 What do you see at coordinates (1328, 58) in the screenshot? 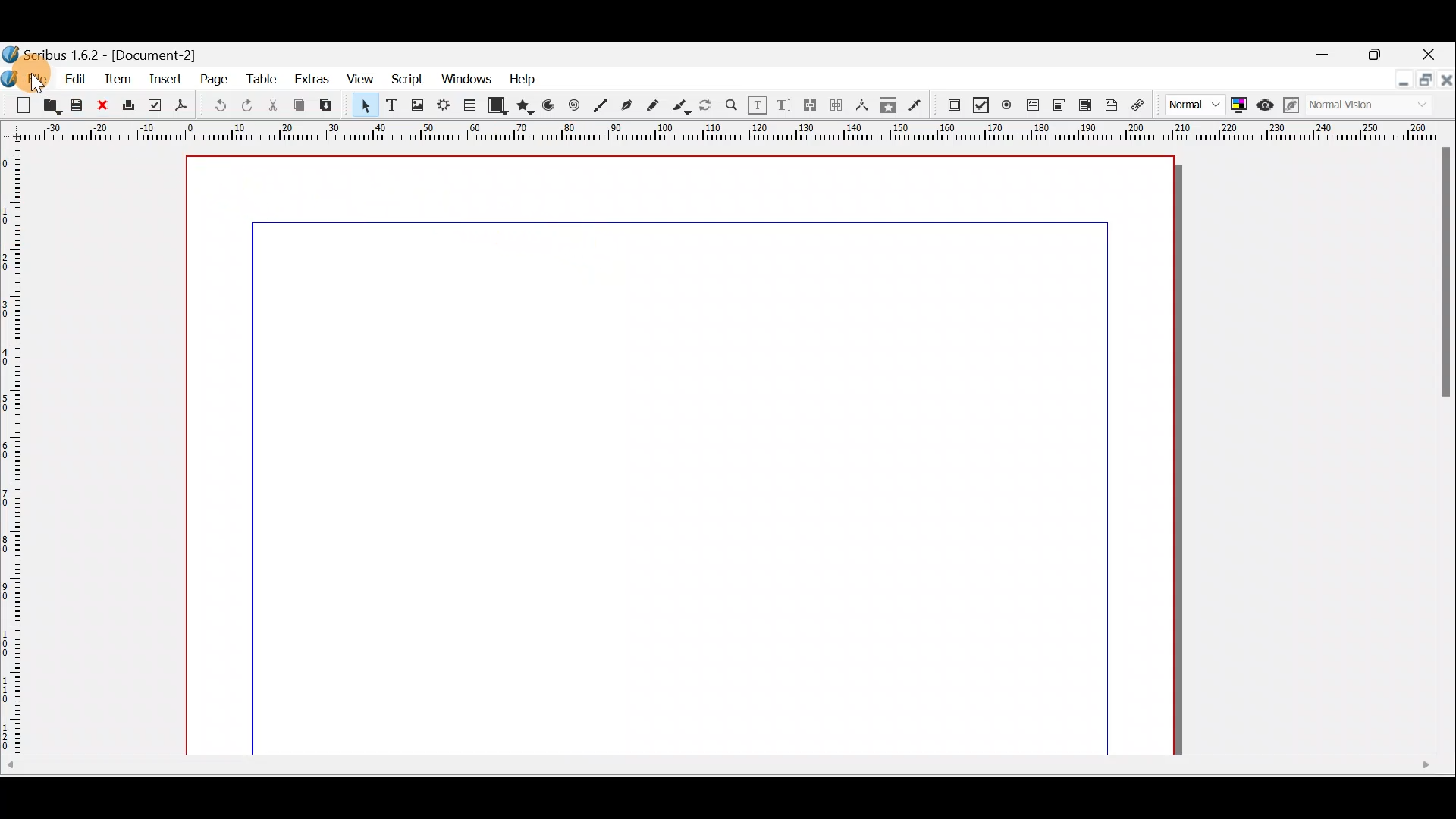
I see `Minimise` at bounding box center [1328, 58].